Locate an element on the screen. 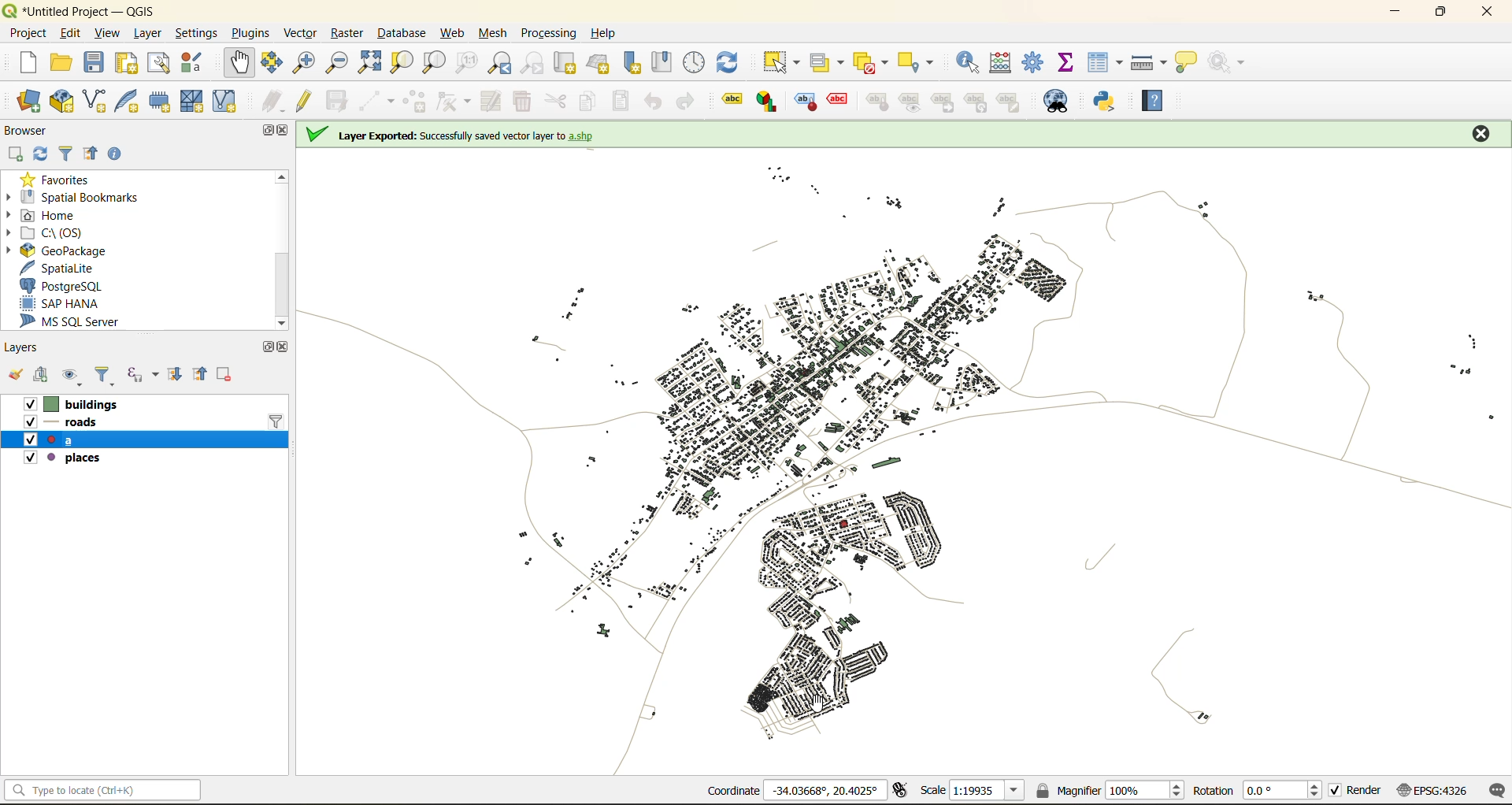  select value is located at coordinates (821, 61).